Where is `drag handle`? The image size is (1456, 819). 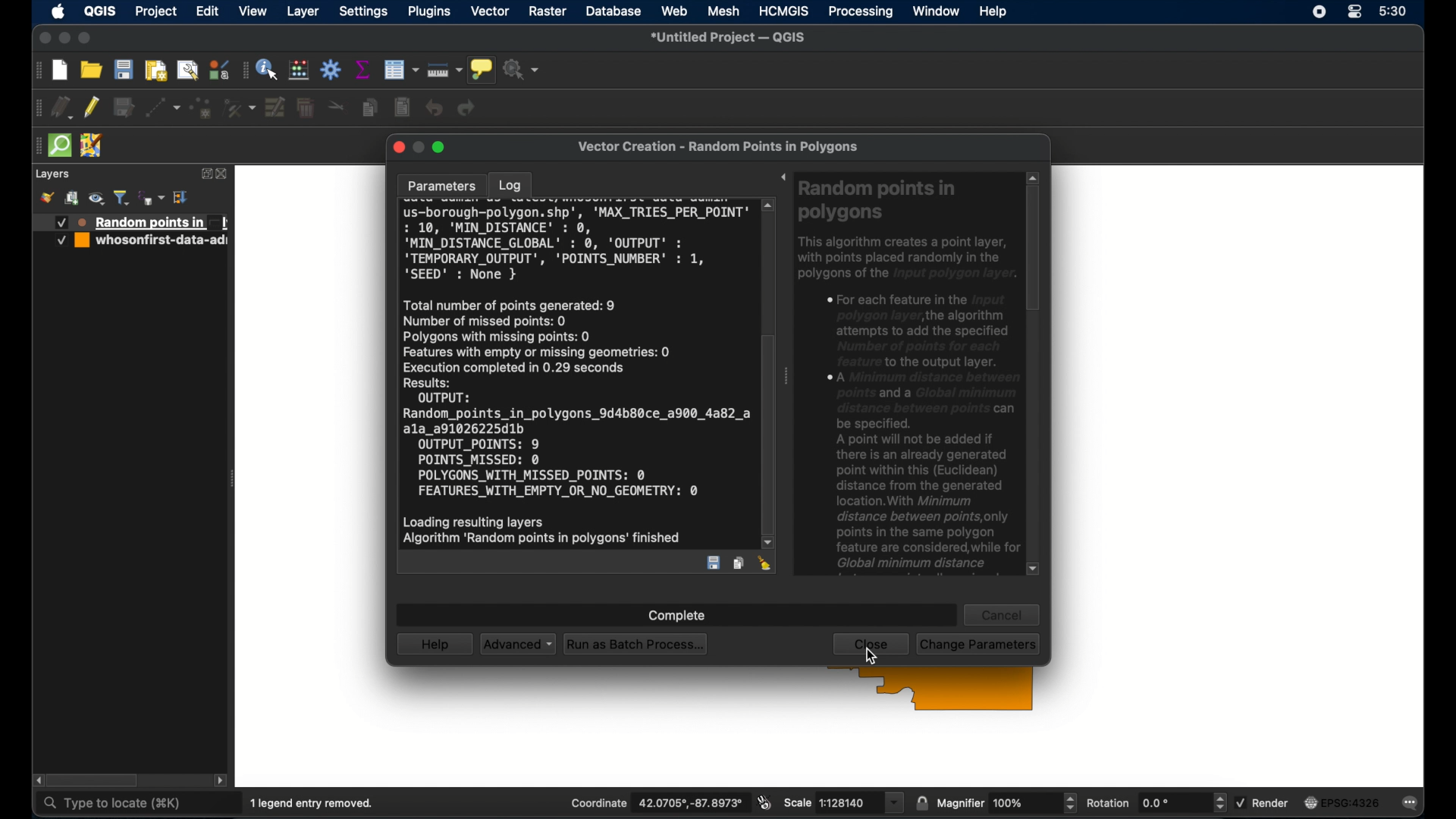 drag handle is located at coordinates (243, 70).